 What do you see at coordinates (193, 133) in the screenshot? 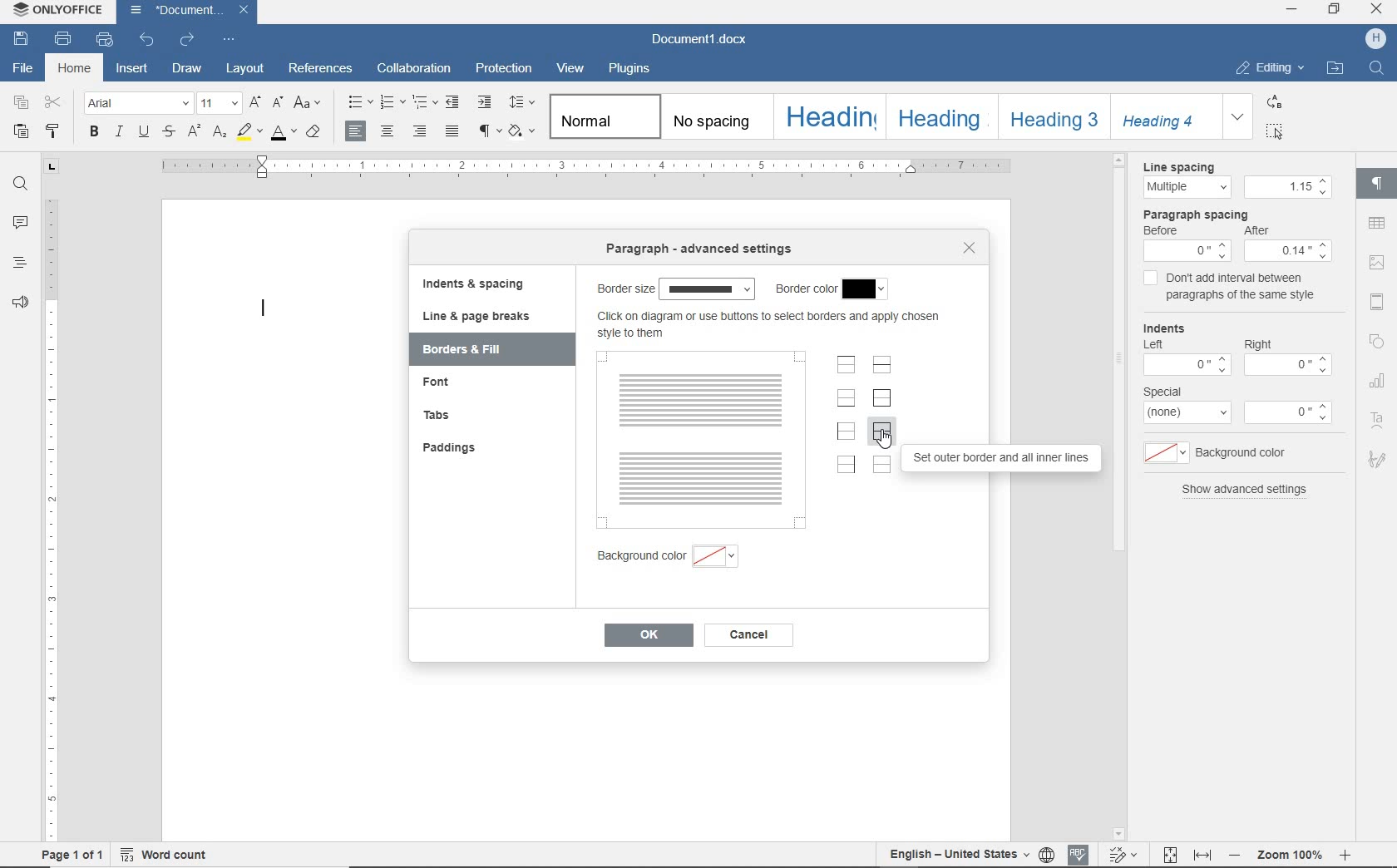
I see `superscript` at bounding box center [193, 133].